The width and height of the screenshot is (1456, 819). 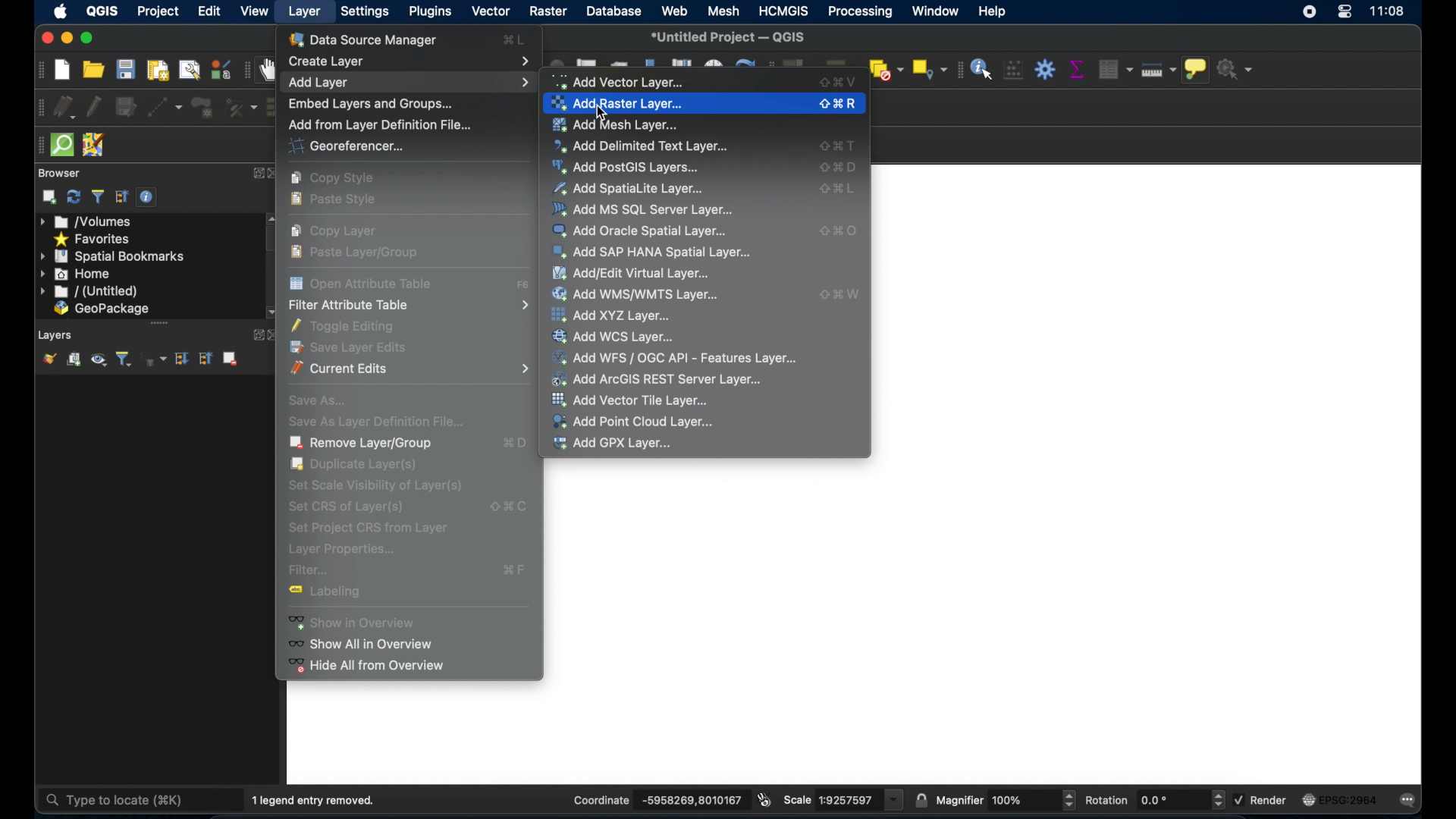 I want to click on open attribute table, so click(x=362, y=282).